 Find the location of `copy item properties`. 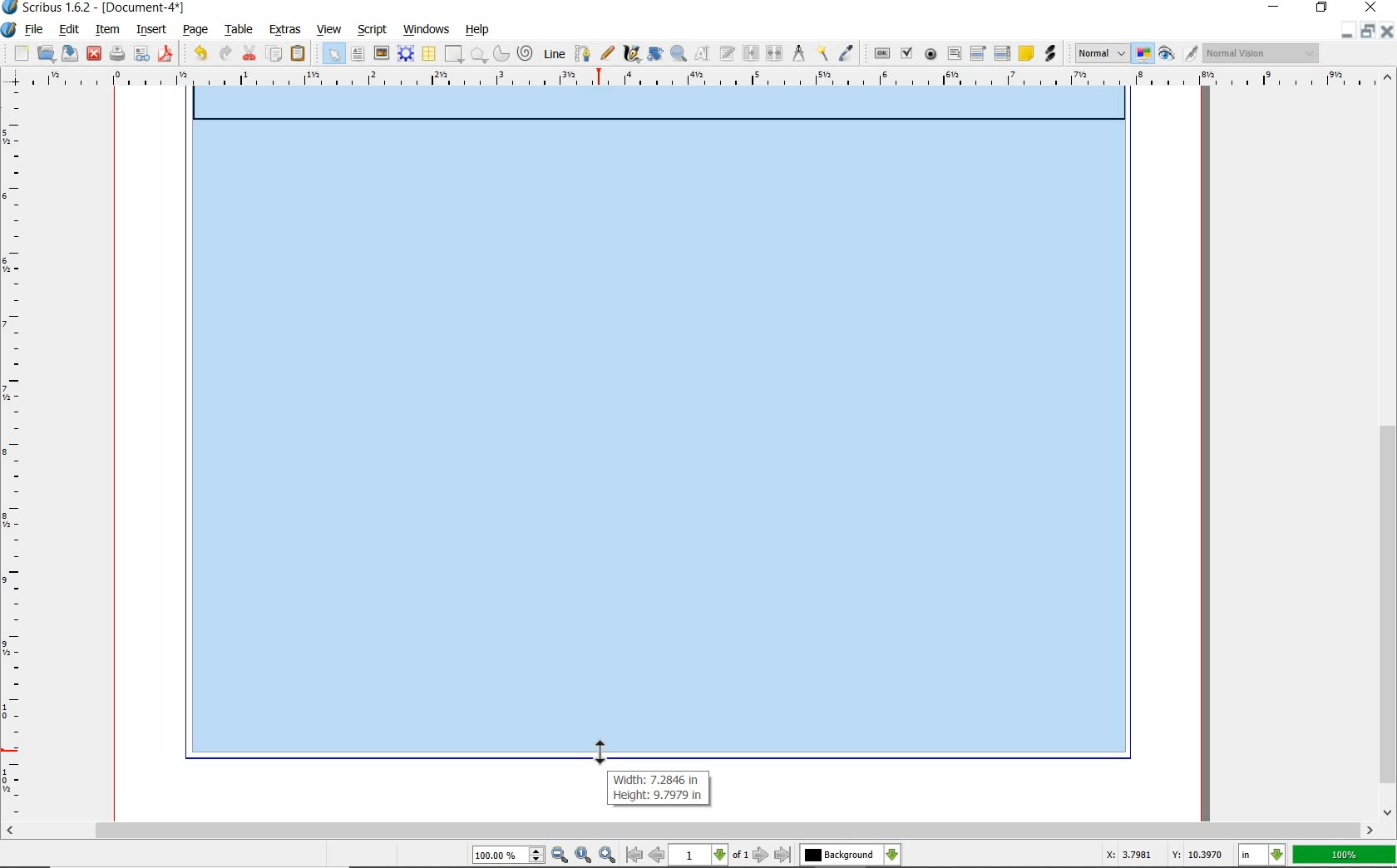

copy item properties is located at coordinates (822, 53).